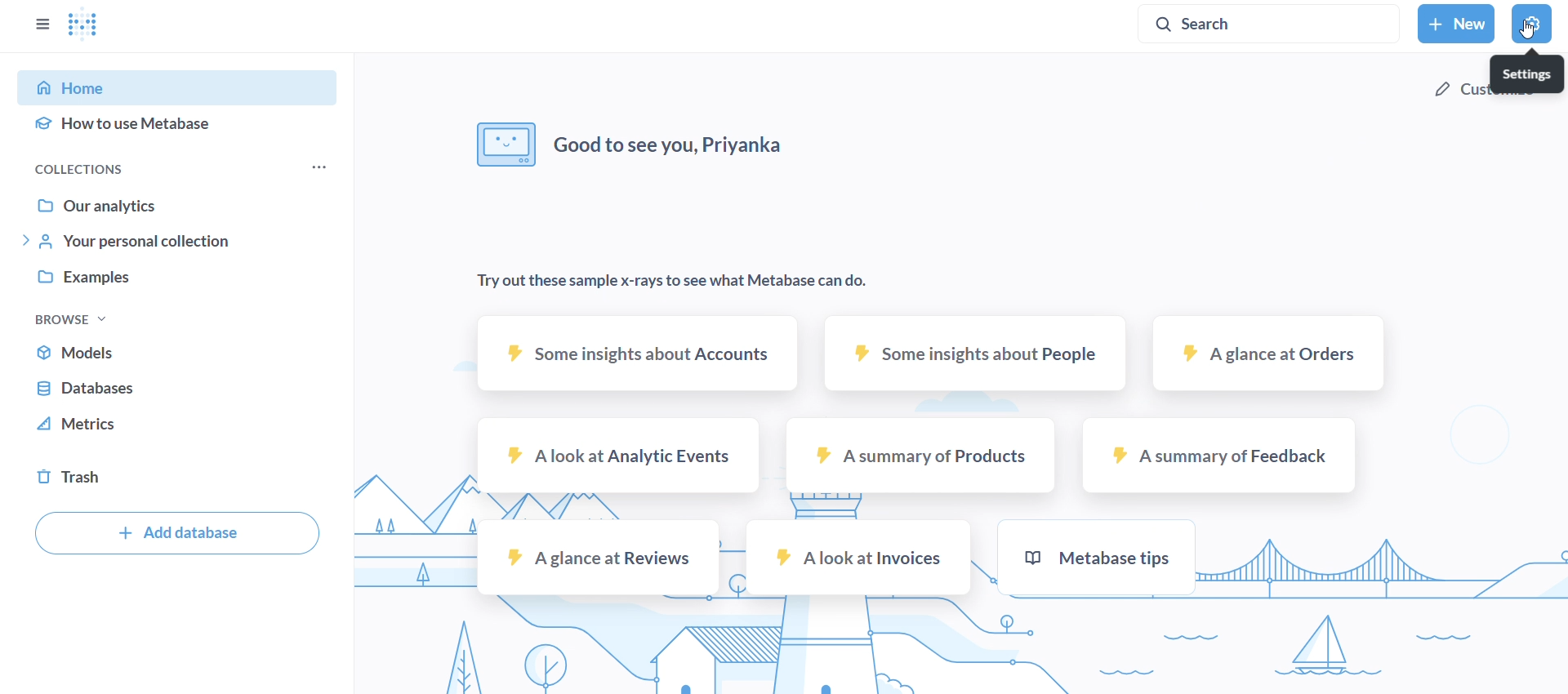  What do you see at coordinates (179, 279) in the screenshot?
I see `examples` at bounding box center [179, 279].